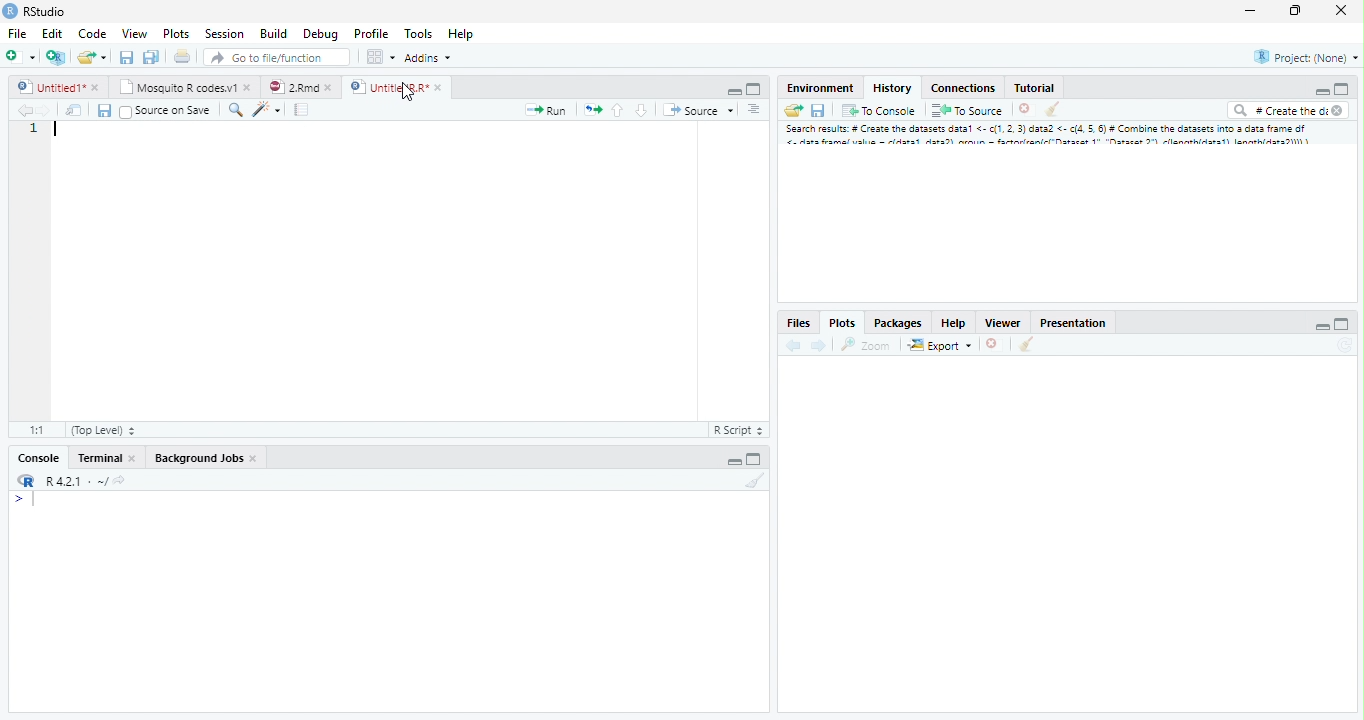  I want to click on Go to the previous section, so click(619, 113).